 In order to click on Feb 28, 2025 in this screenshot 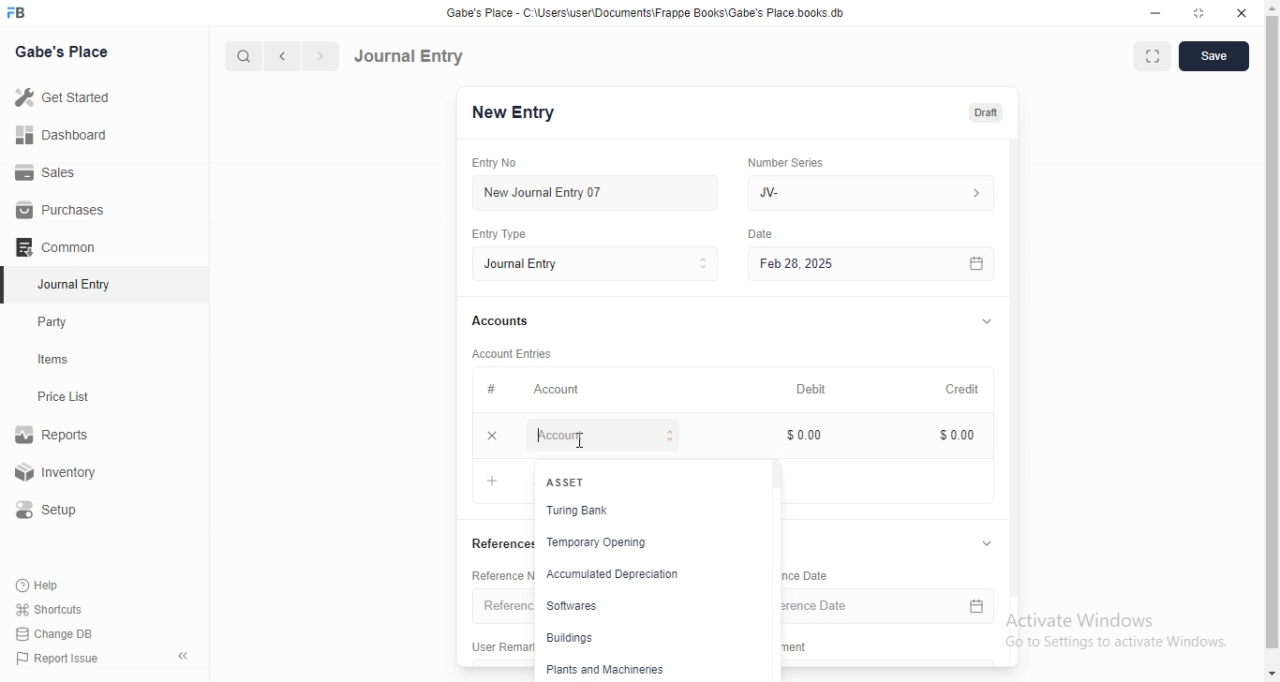, I will do `click(880, 265)`.